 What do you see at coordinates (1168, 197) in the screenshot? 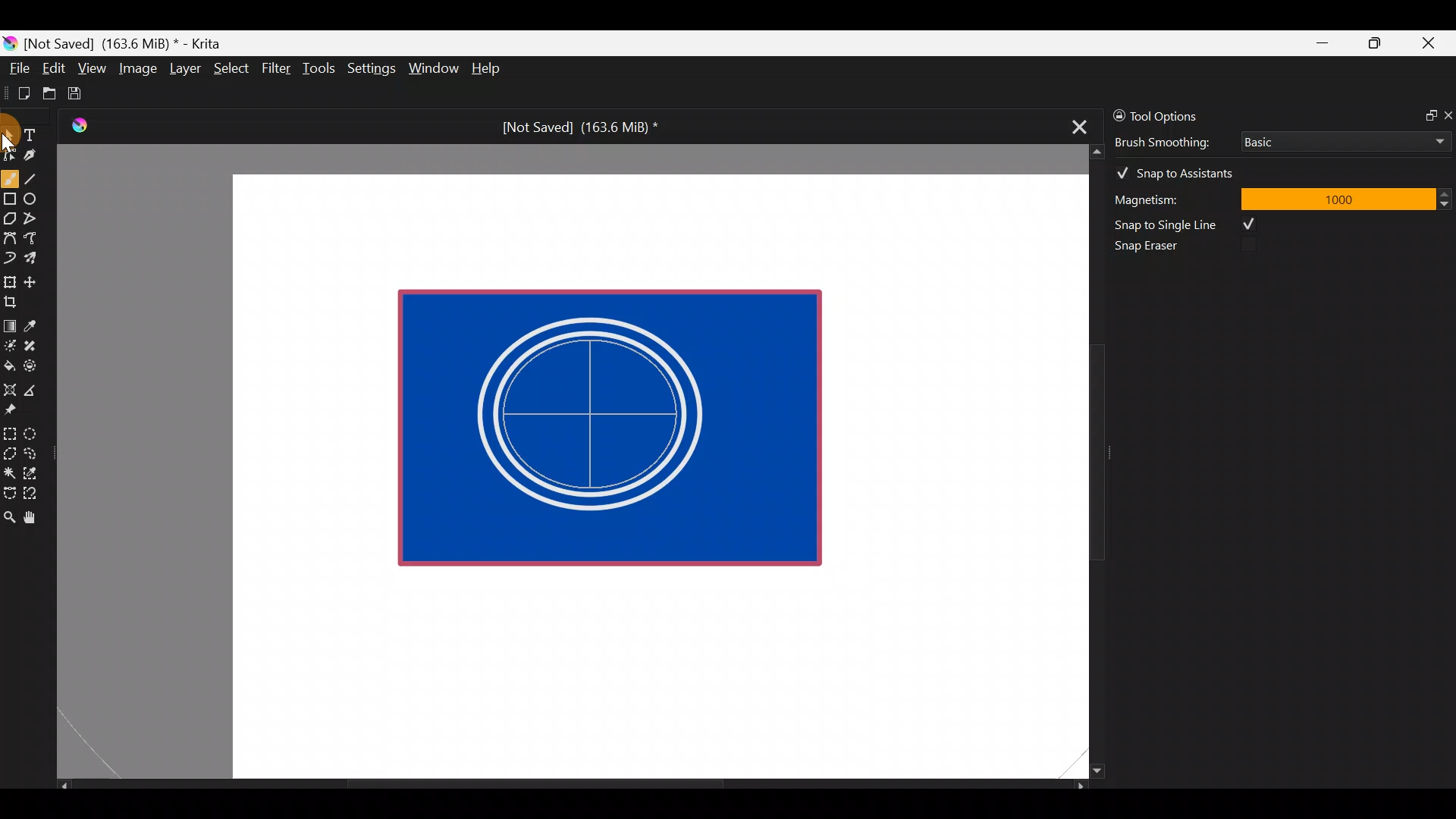
I see `Magnetism` at bounding box center [1168, 197].